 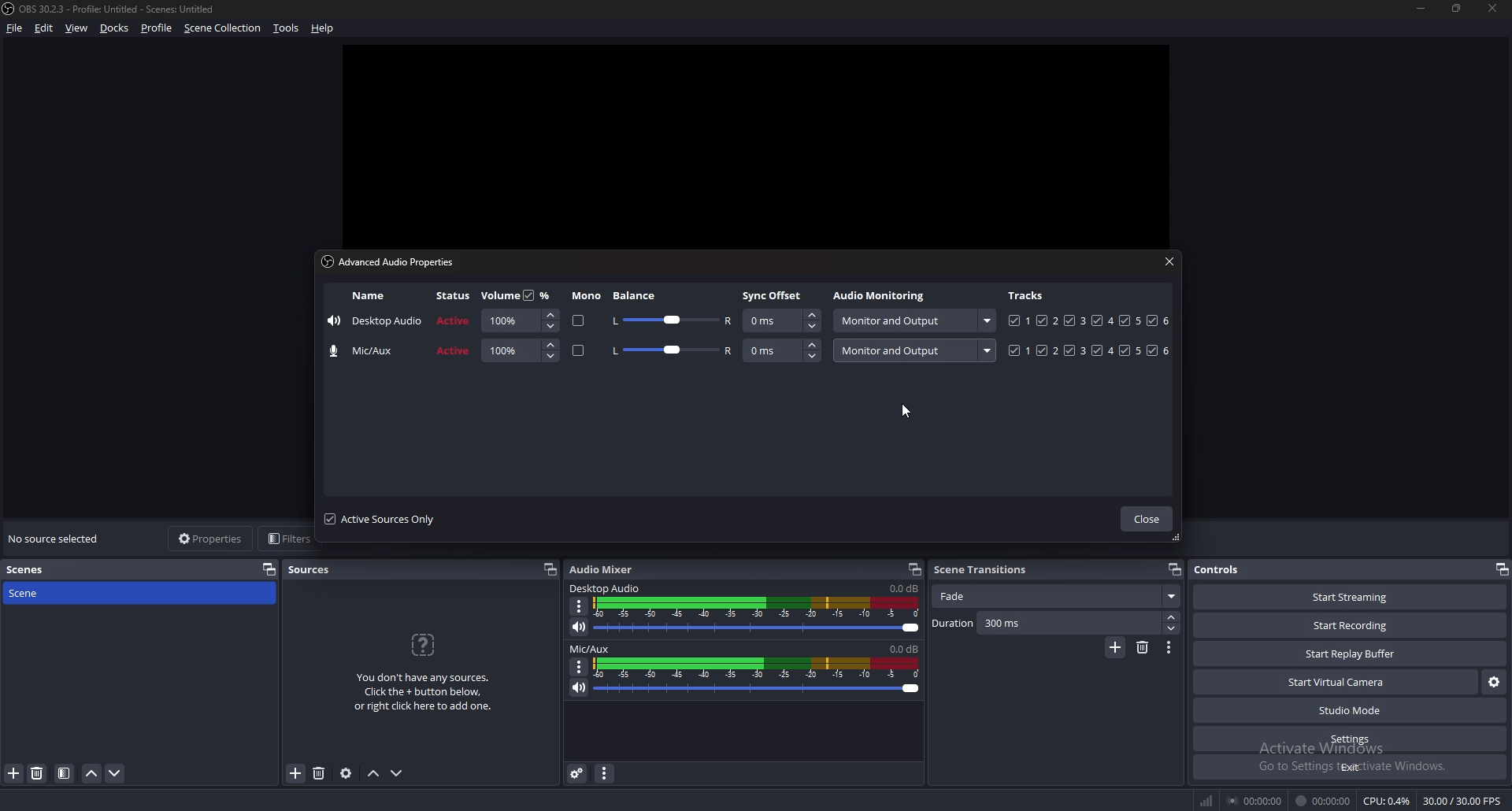 What do you see at coordinates (1147, 519) in the screenshot?
I see `close` at bounding box center [1147, 519].